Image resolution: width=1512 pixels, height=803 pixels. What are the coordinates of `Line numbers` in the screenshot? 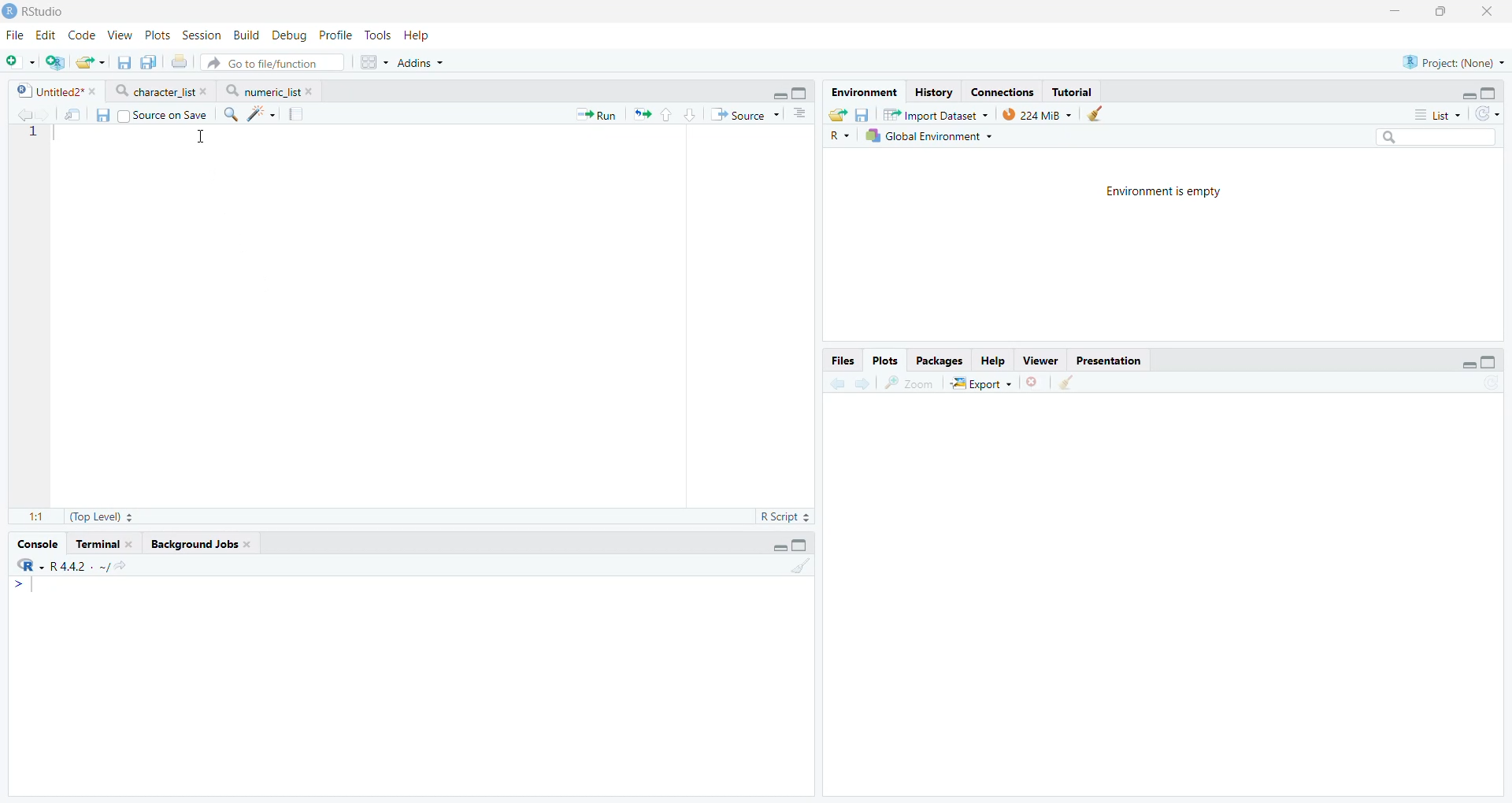 It's located at (33, 136).